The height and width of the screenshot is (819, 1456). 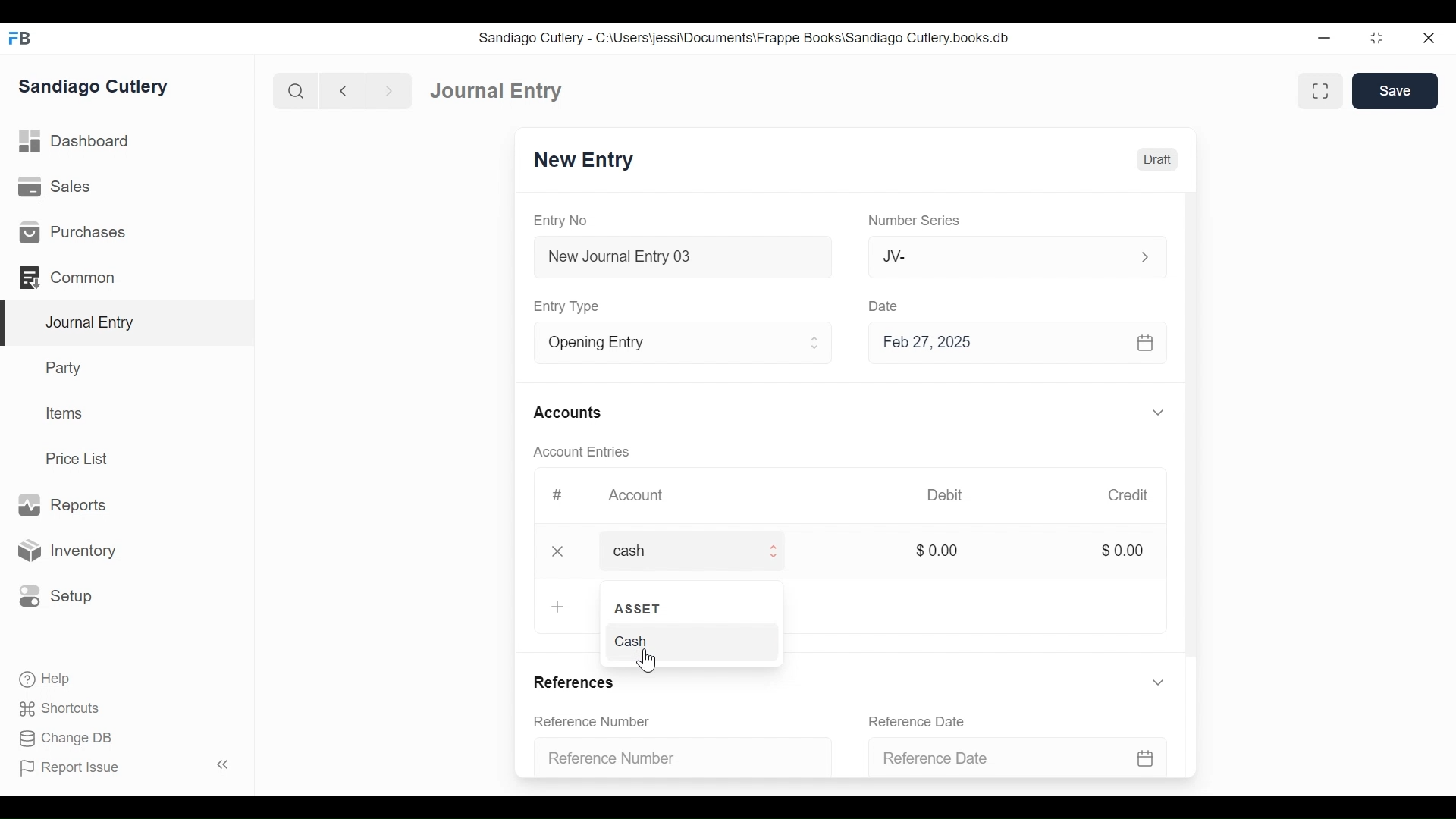 What do you see at coordinates (124, 324) in the screenshot?
I see `Journal Entry` at bounding box center [124, 324].